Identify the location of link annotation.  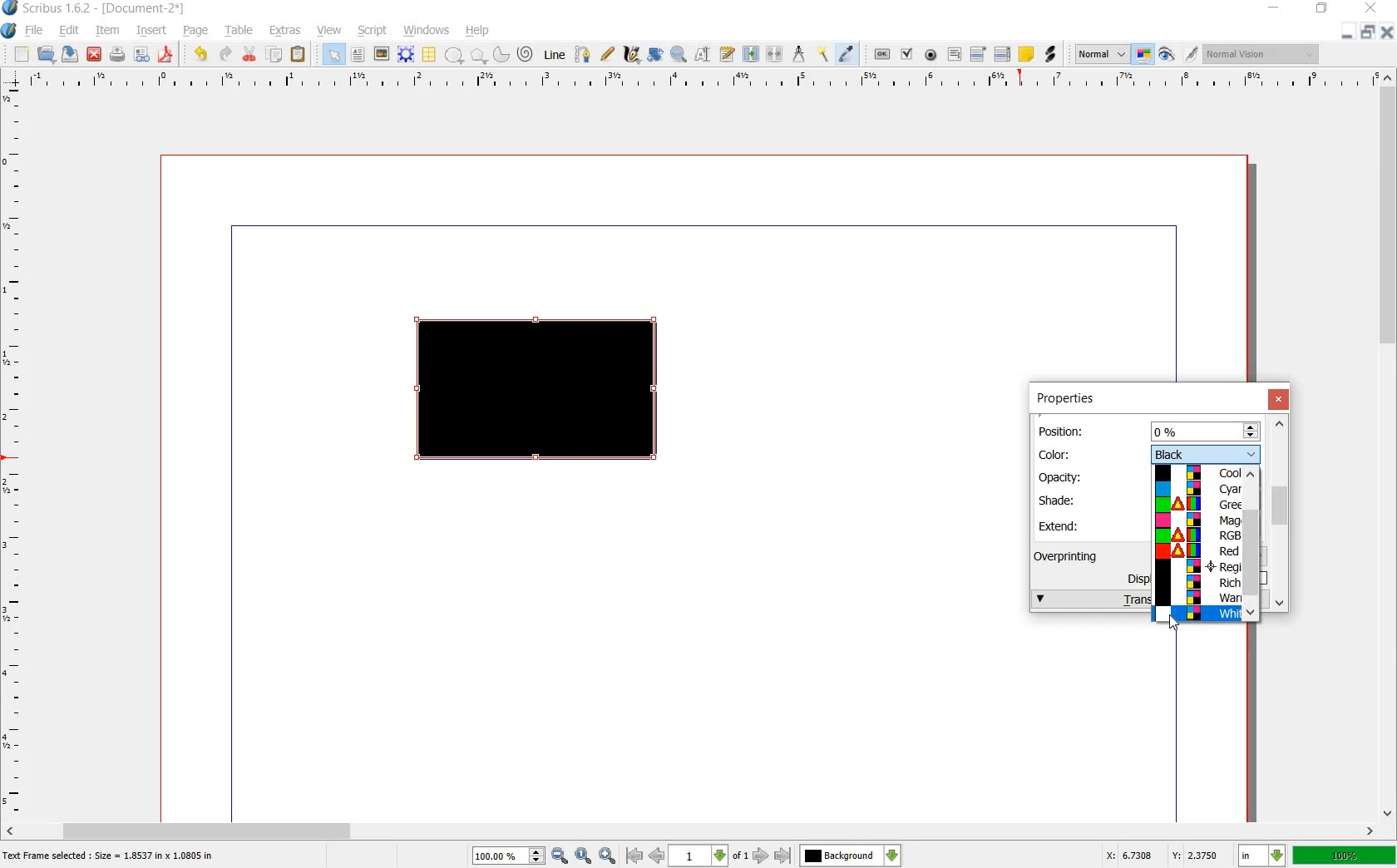
(1049, 55).